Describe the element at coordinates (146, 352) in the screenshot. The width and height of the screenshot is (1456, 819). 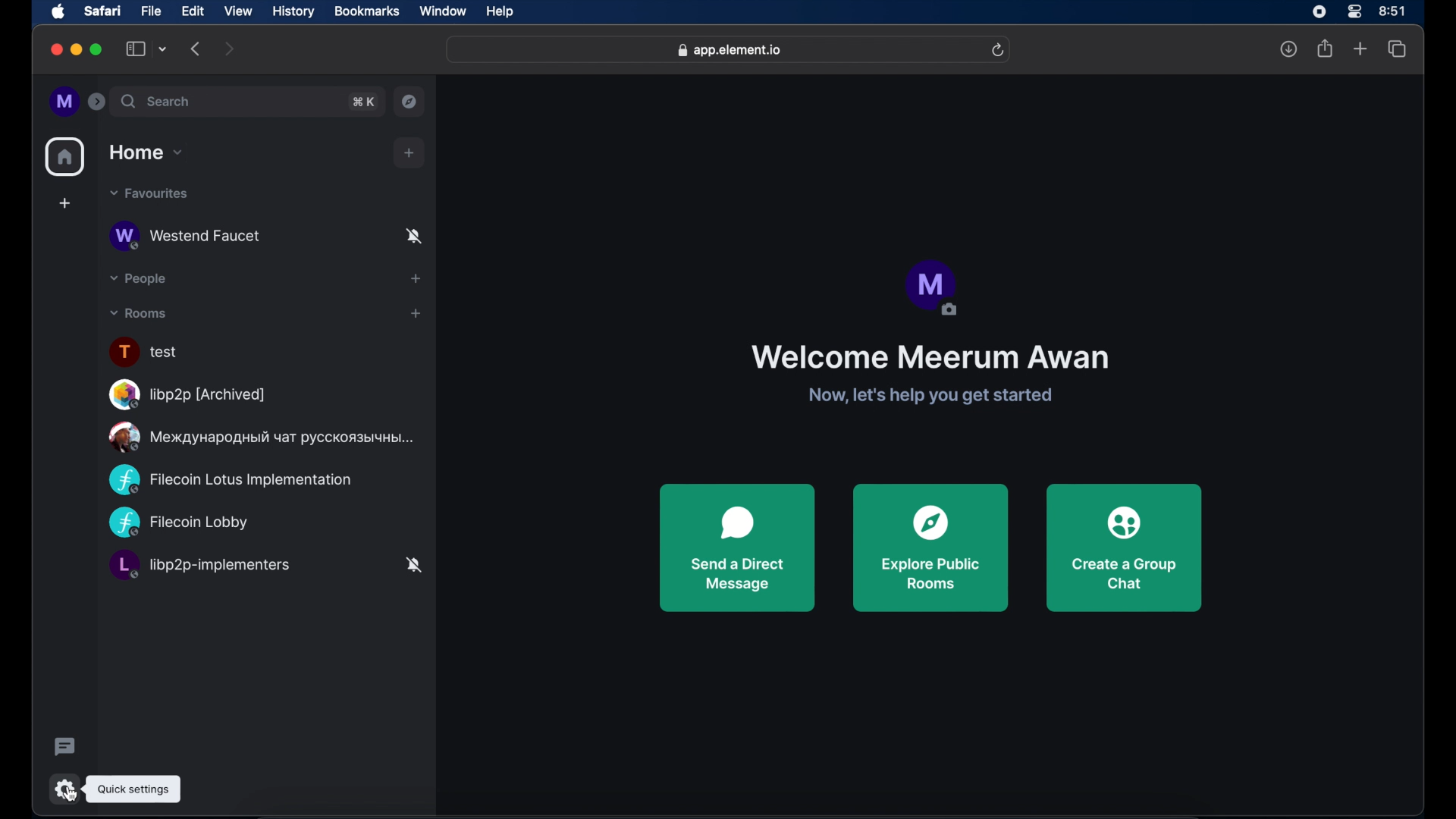
I see `test room` at that location.